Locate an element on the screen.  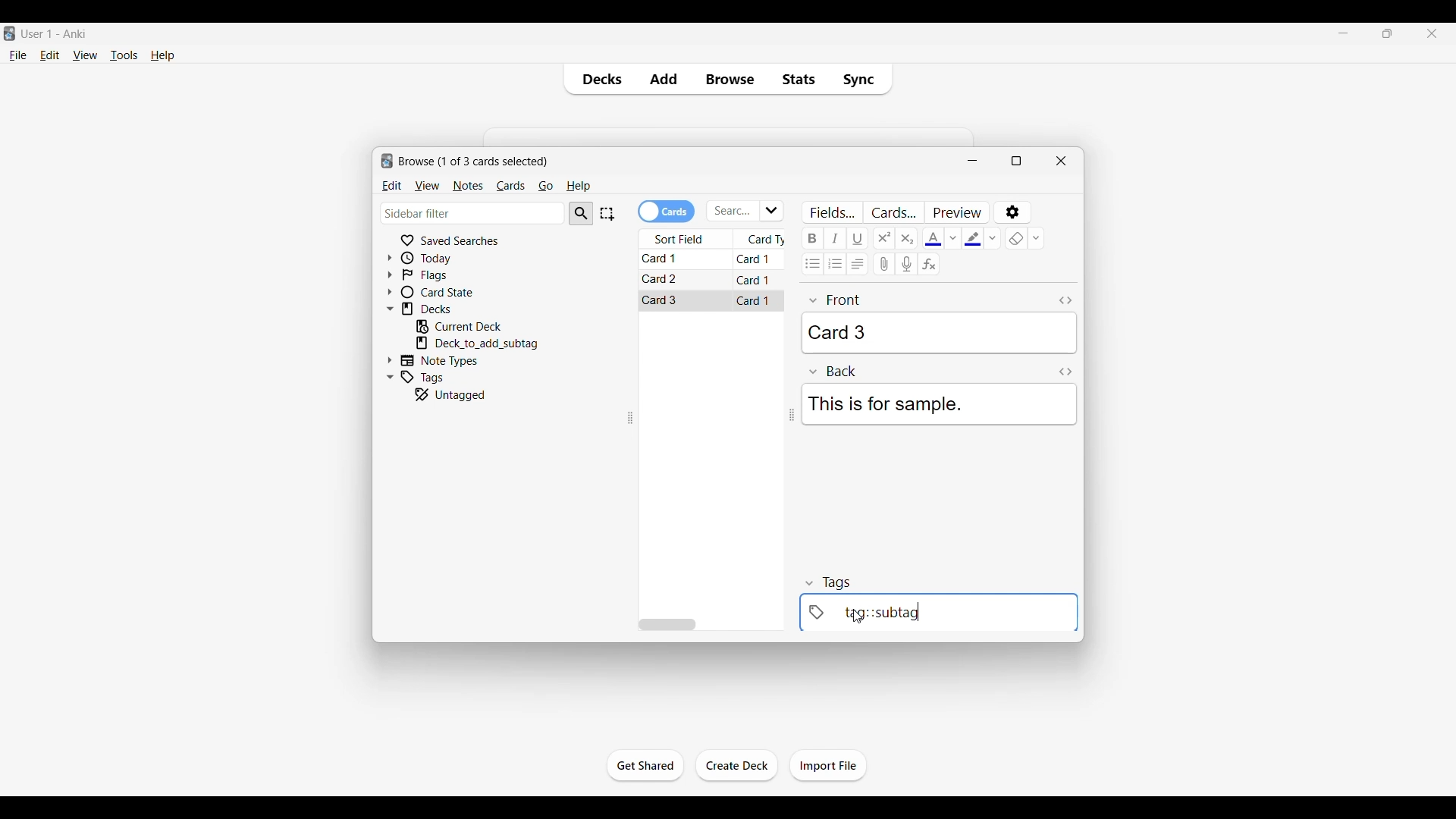
Cards menu is located at coordinates (510, 187).